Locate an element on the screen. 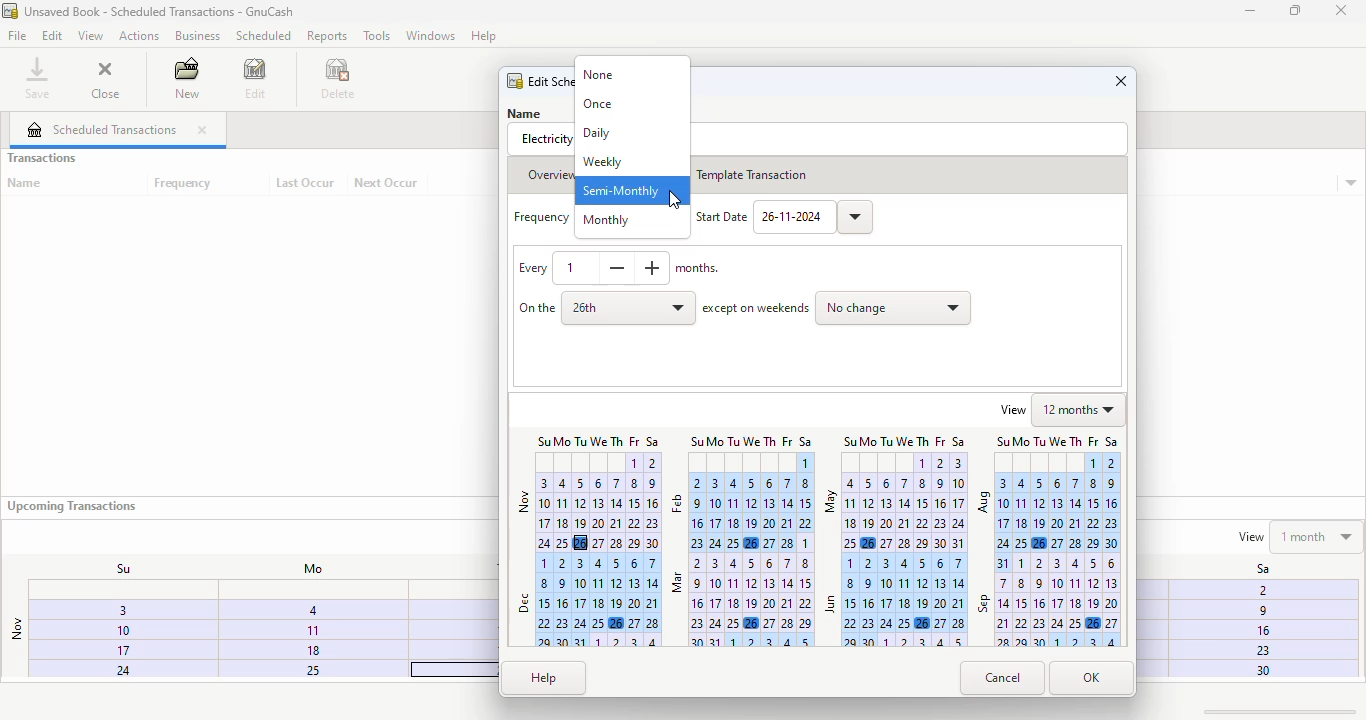 The height and width of the screenshot is (720, 1366). semi-monthly is located at coordinates (620, 192).